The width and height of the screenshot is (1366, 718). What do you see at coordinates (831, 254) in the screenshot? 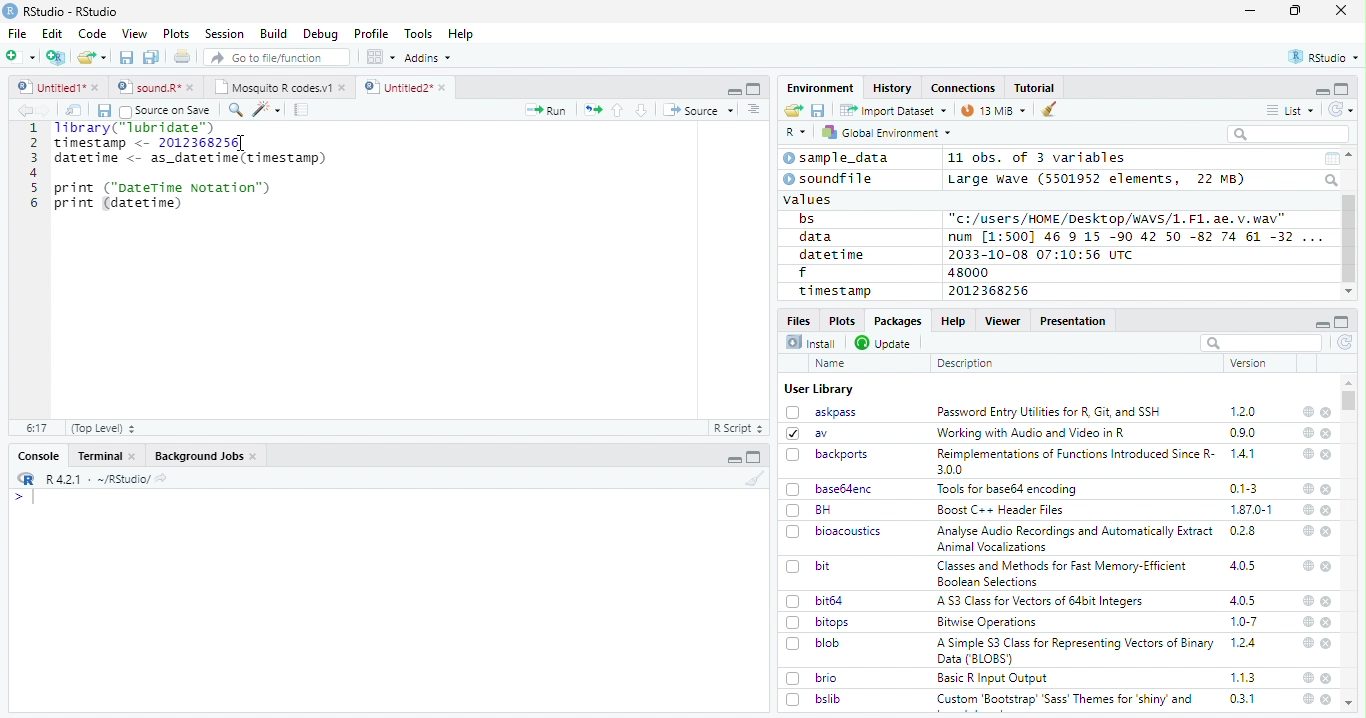
I see `datetime` at bounding box center [831, 254].